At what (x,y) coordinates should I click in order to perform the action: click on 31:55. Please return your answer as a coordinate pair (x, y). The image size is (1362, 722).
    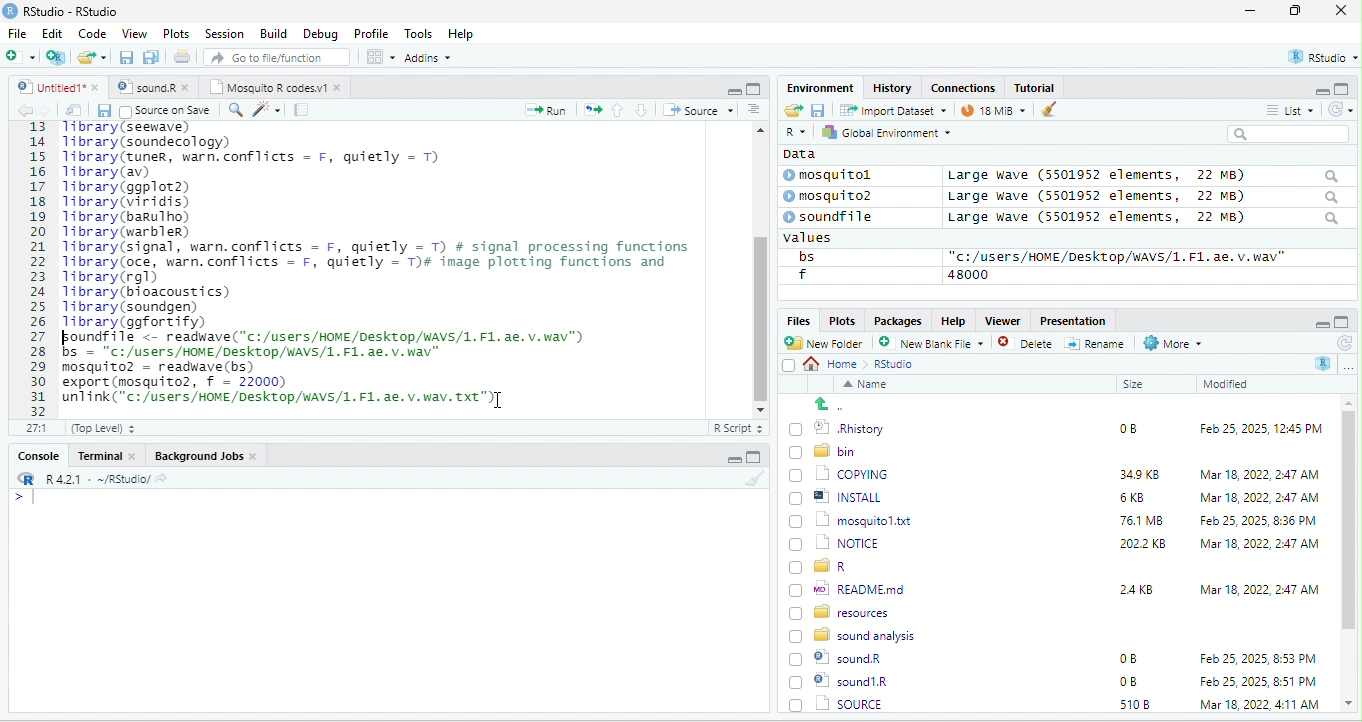
    Looking at the image, I should click on (34, 428).